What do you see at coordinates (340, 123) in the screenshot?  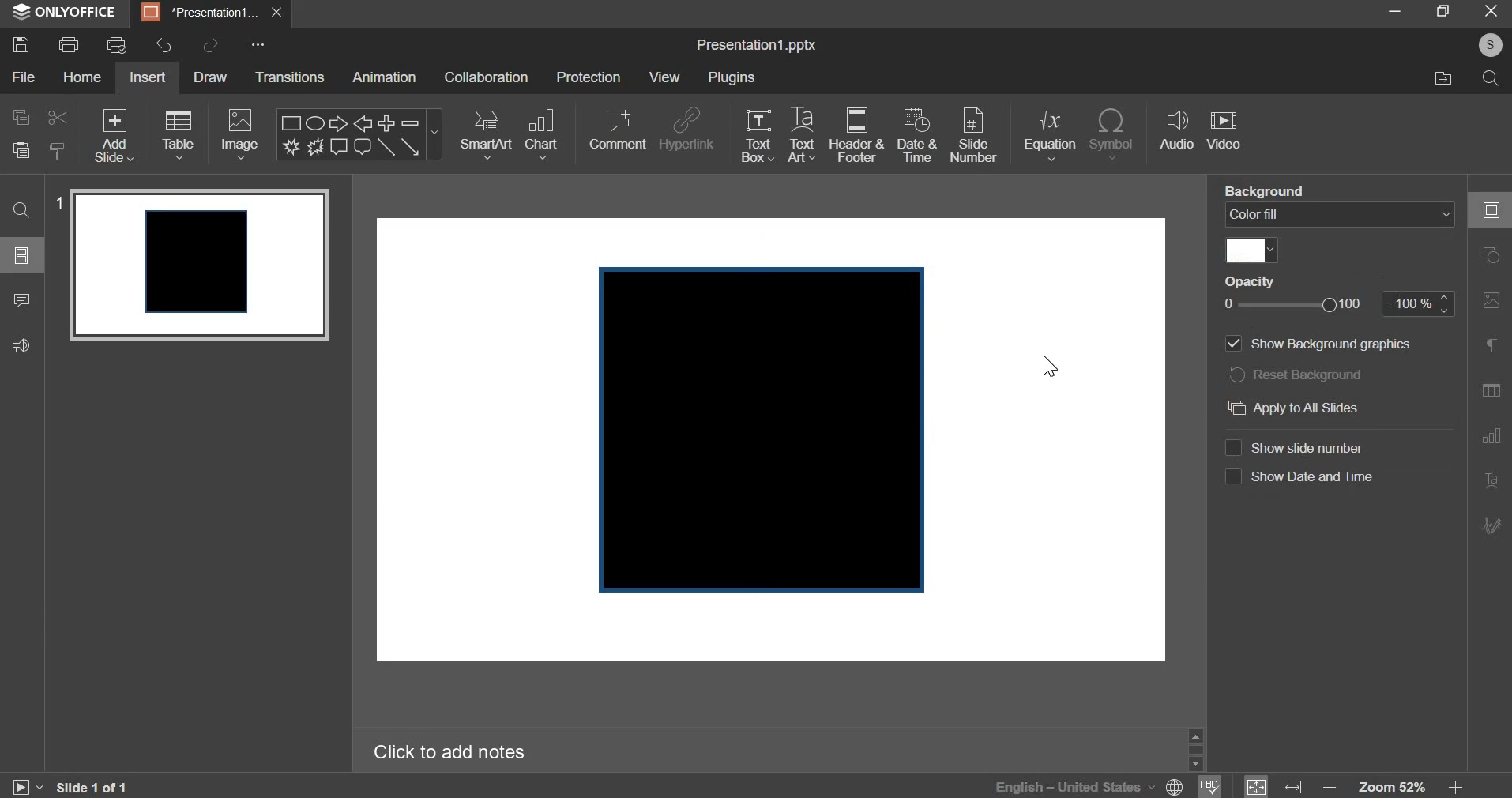 I see `Arrow` at bounding box center [340, 123].